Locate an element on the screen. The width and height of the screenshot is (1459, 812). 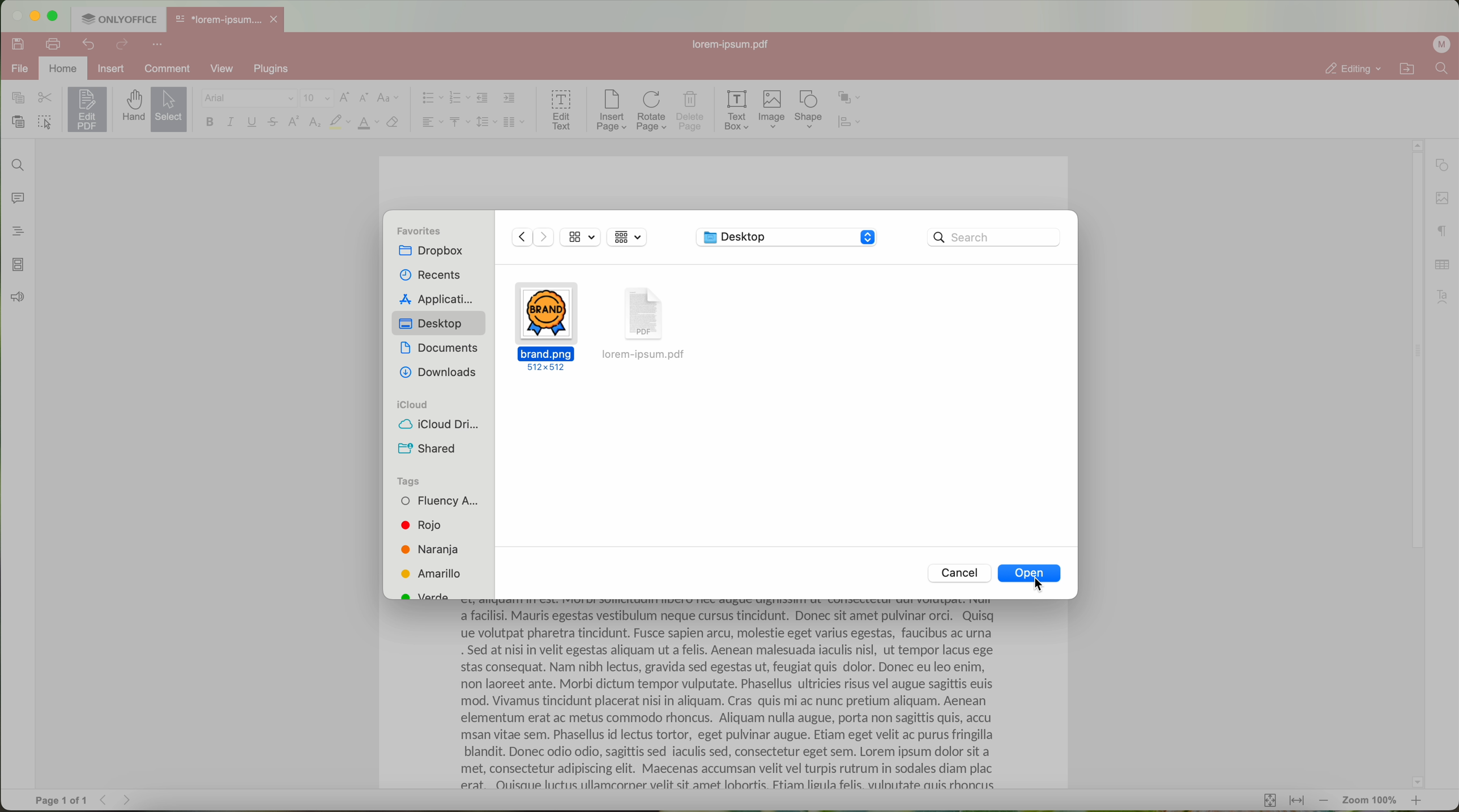
more options is located at coordinates (160, 43).